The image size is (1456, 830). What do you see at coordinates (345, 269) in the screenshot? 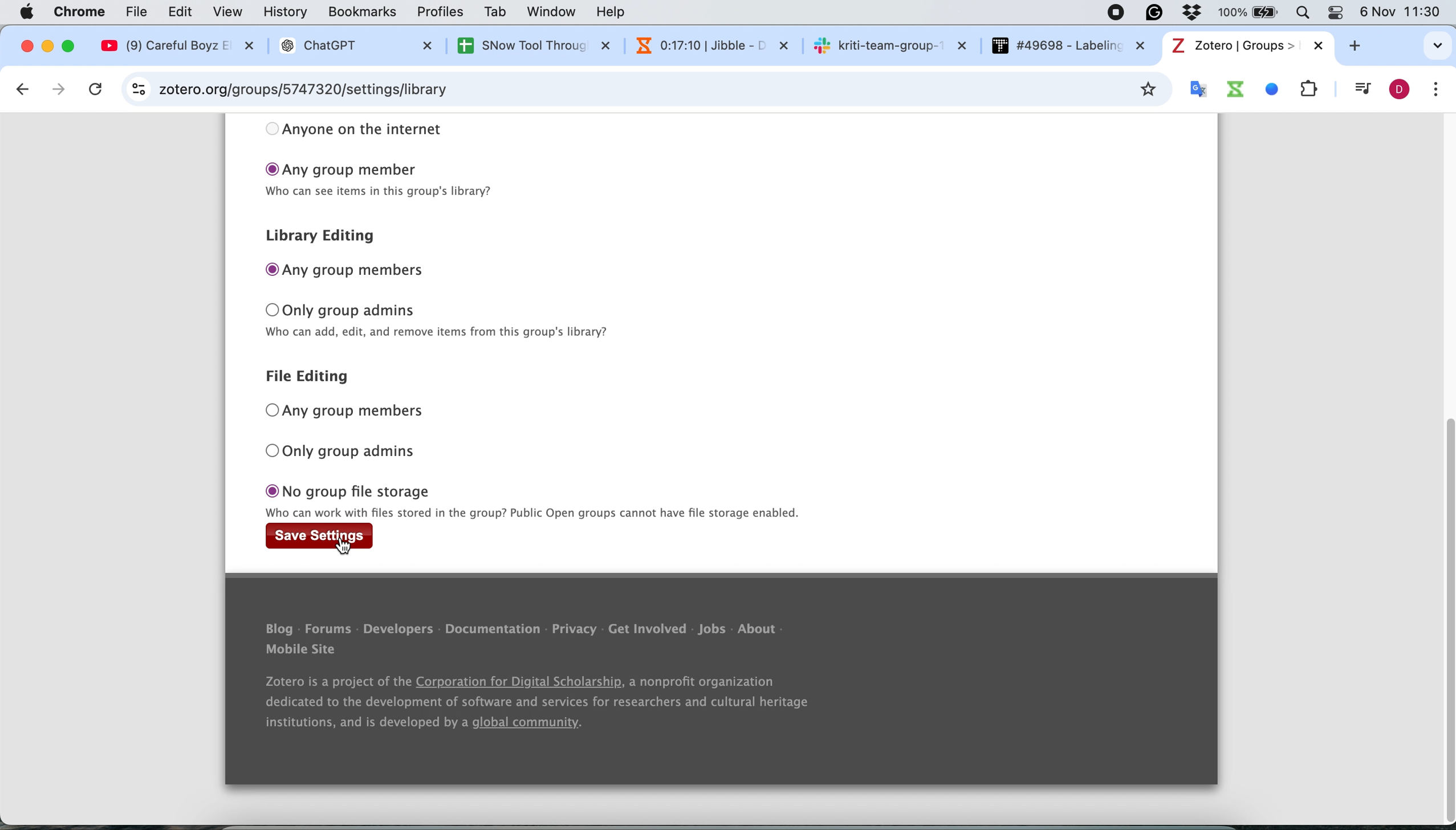
I see `any group members` at bounding box center [345, 269].